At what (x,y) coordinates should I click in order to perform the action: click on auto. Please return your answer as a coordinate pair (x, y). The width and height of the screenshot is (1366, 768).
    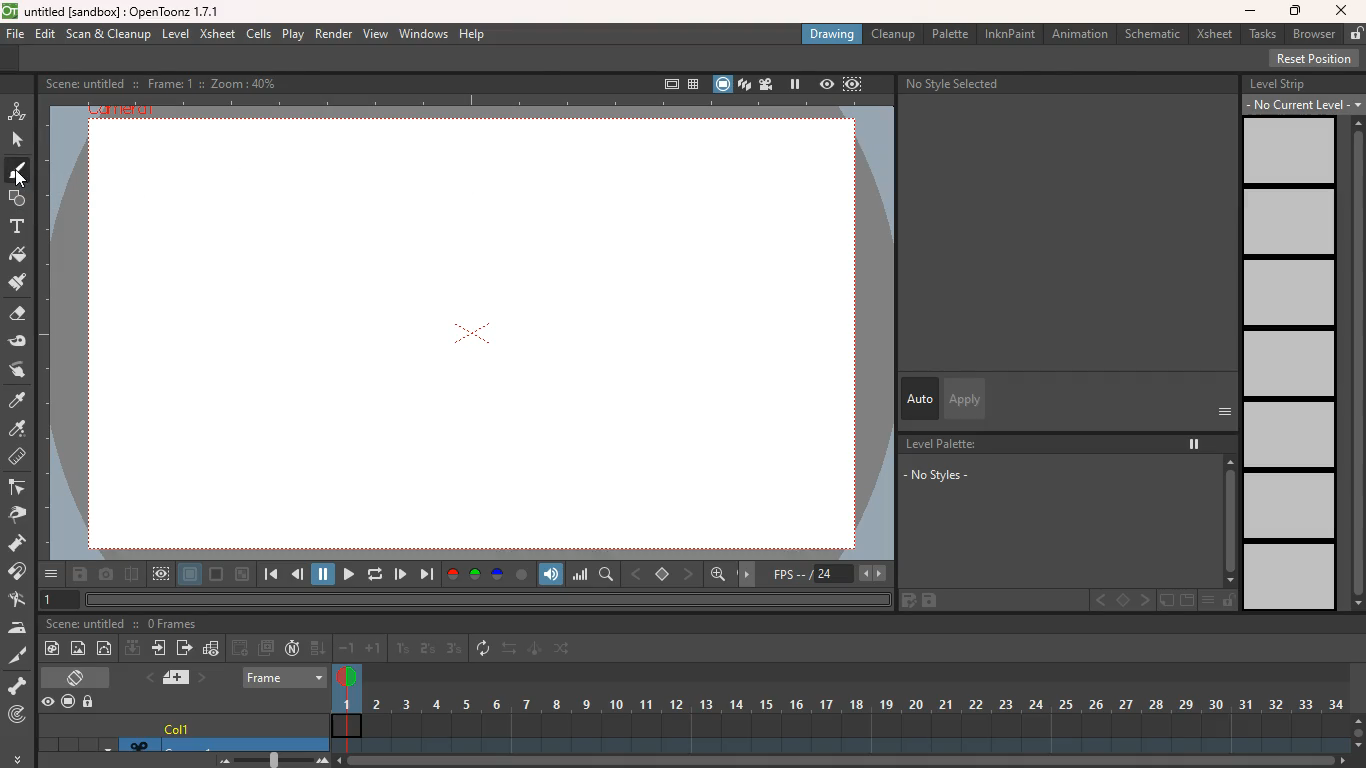
    Looking at the image, I should click on (920, 399).